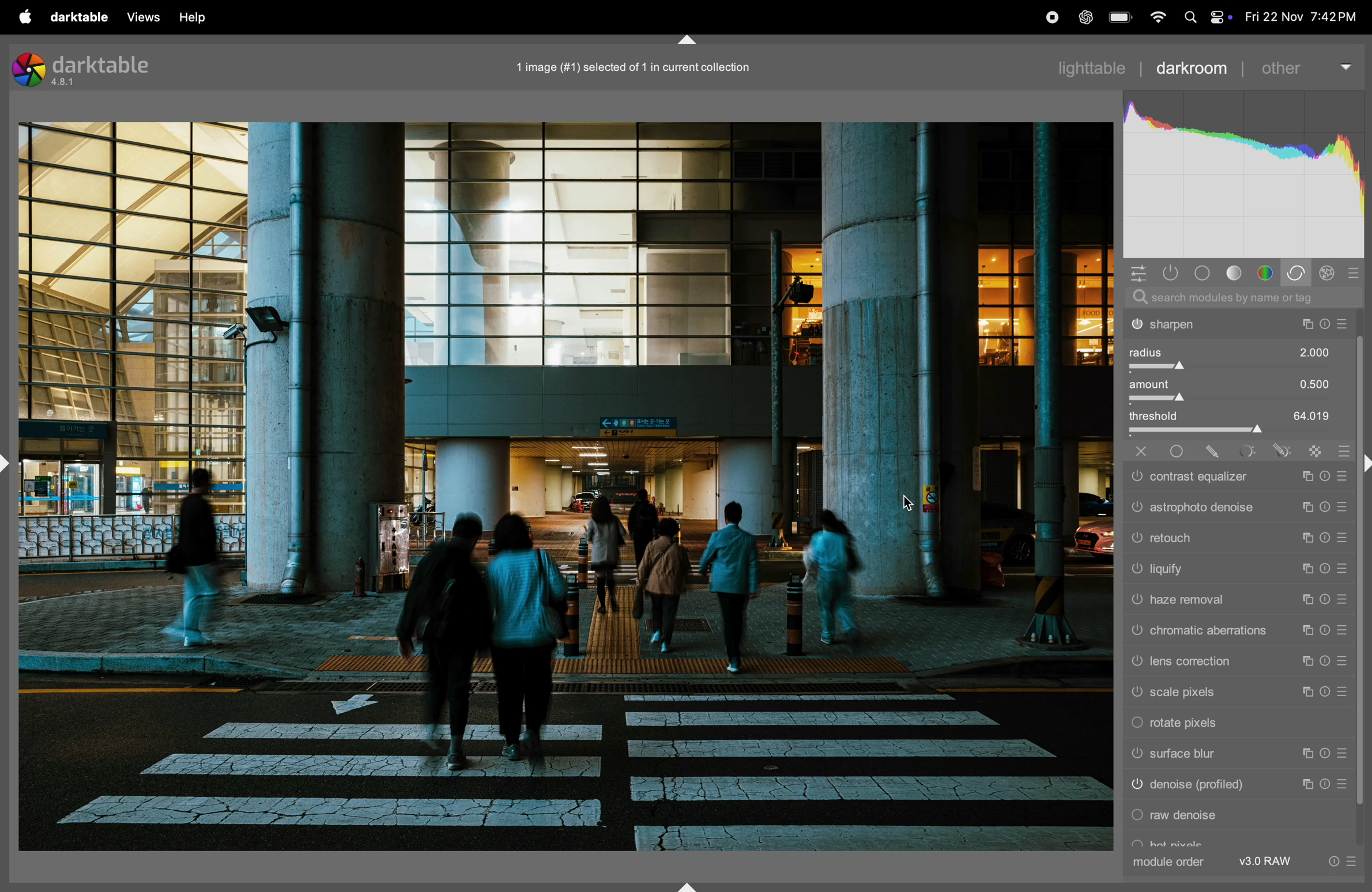 The width and height of the screenshot is (1372, 892). What do you see at coordinates (1279, 450) in the screenshot?
I see `draw a parametric mask` at bounding box center [1279, 450].